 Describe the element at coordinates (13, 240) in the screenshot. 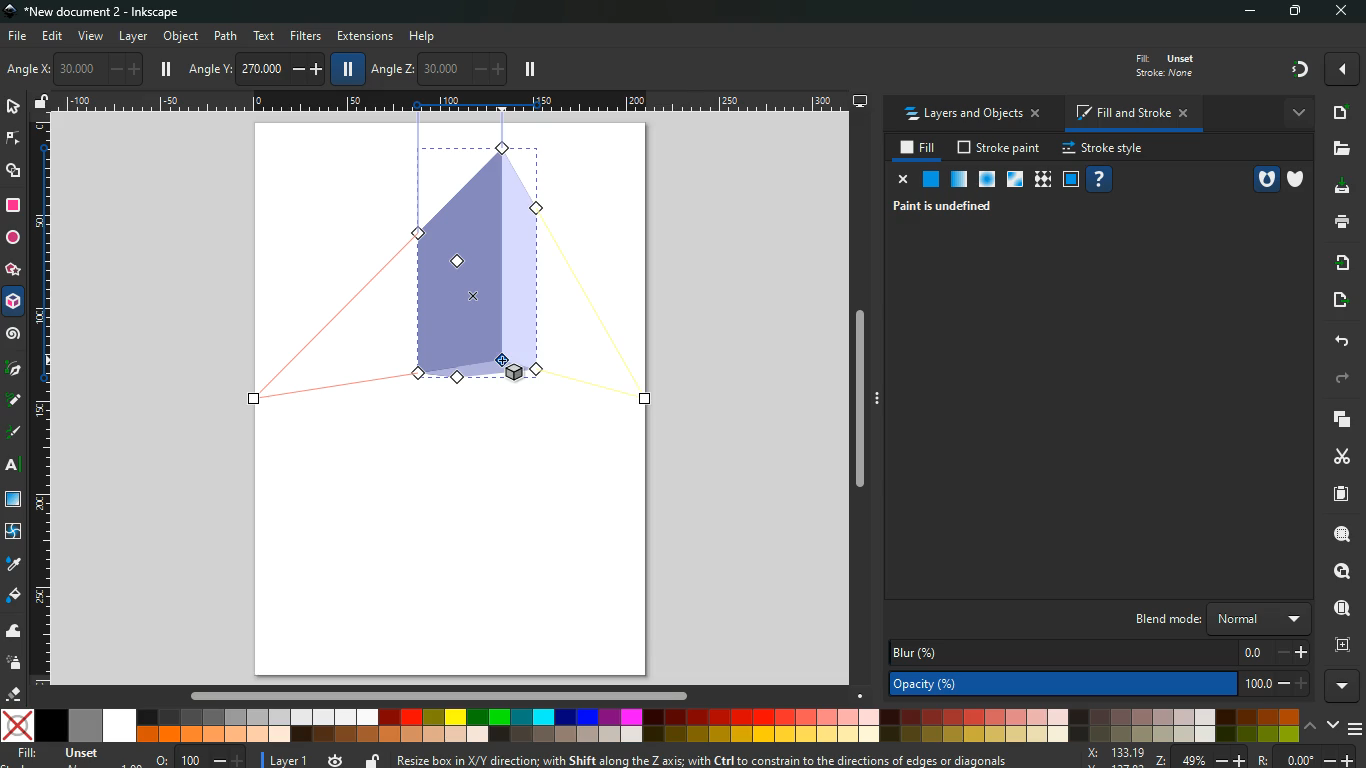

I see `circle` at that location.